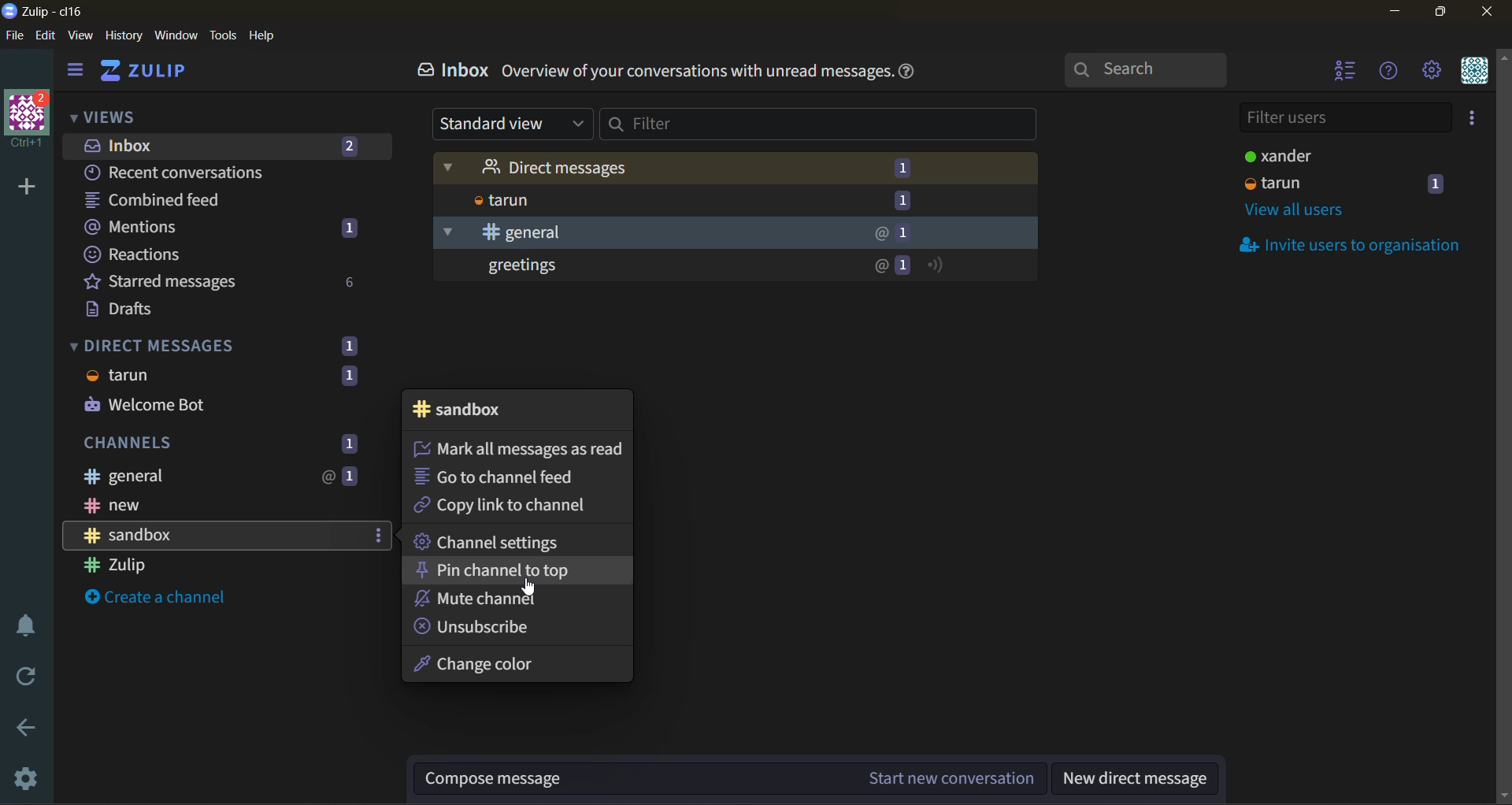 Image resolution: width=1512 pixels, height=805 pixels. I want to click on reactions, so click(187, 257).